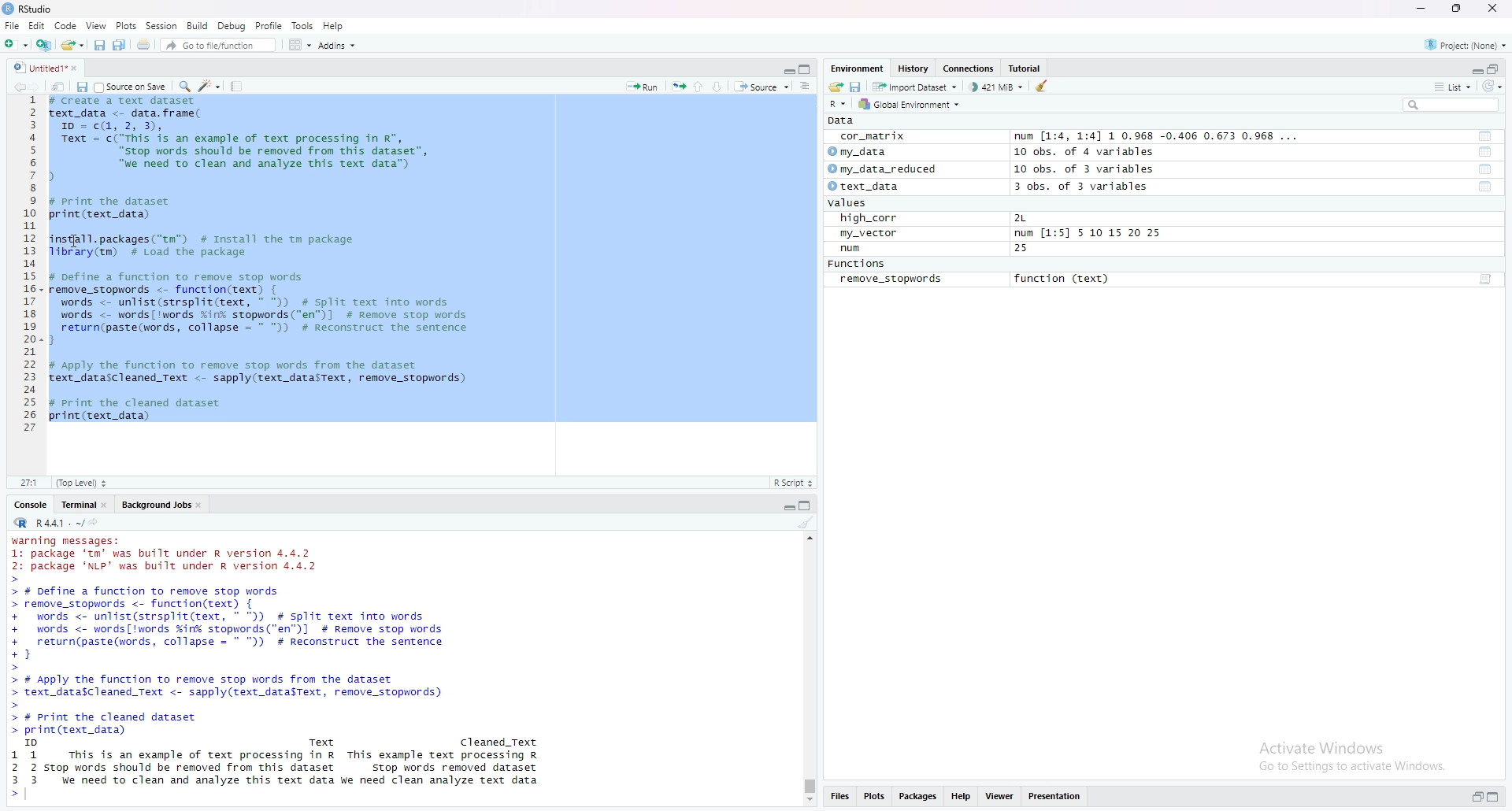  What do you see at coordinates (275, 668) in the screenshot?
I see `console log` at bounding box center [275, 668].